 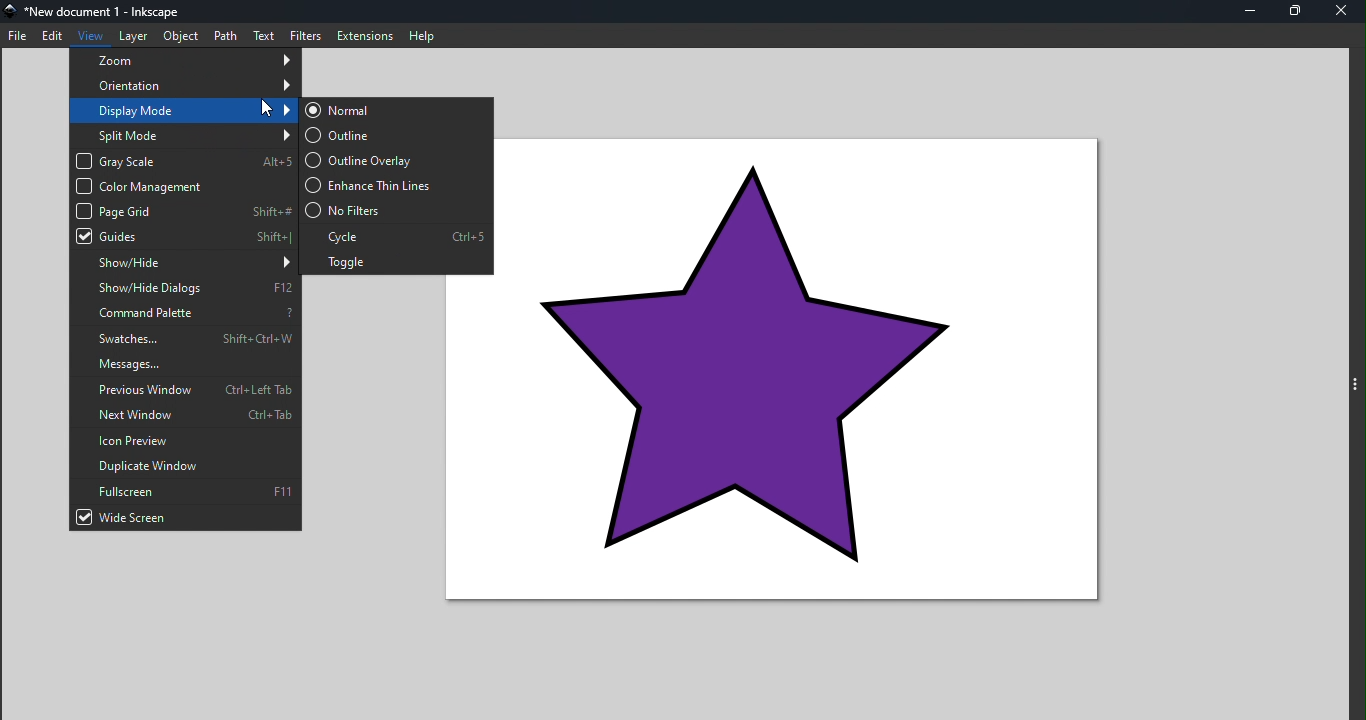 What do you see at coordinates (189, 415) in the screenshot?
I see `Next window` at bounding box center [189, 415].